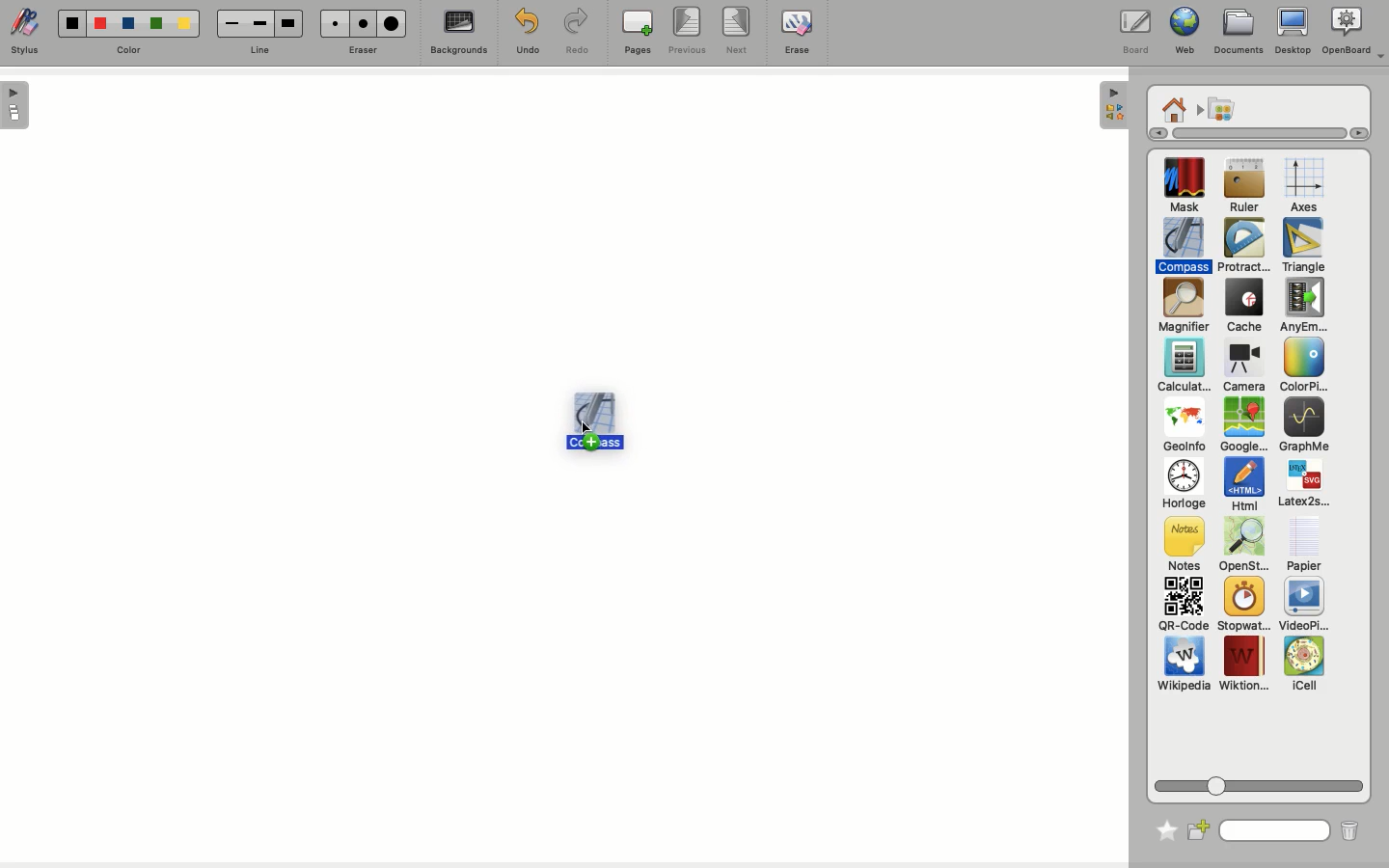 The image size is (1389, 868). Describe the element at coordinates (1246, 246) in the screenshot. I see `Protractor` at that location.